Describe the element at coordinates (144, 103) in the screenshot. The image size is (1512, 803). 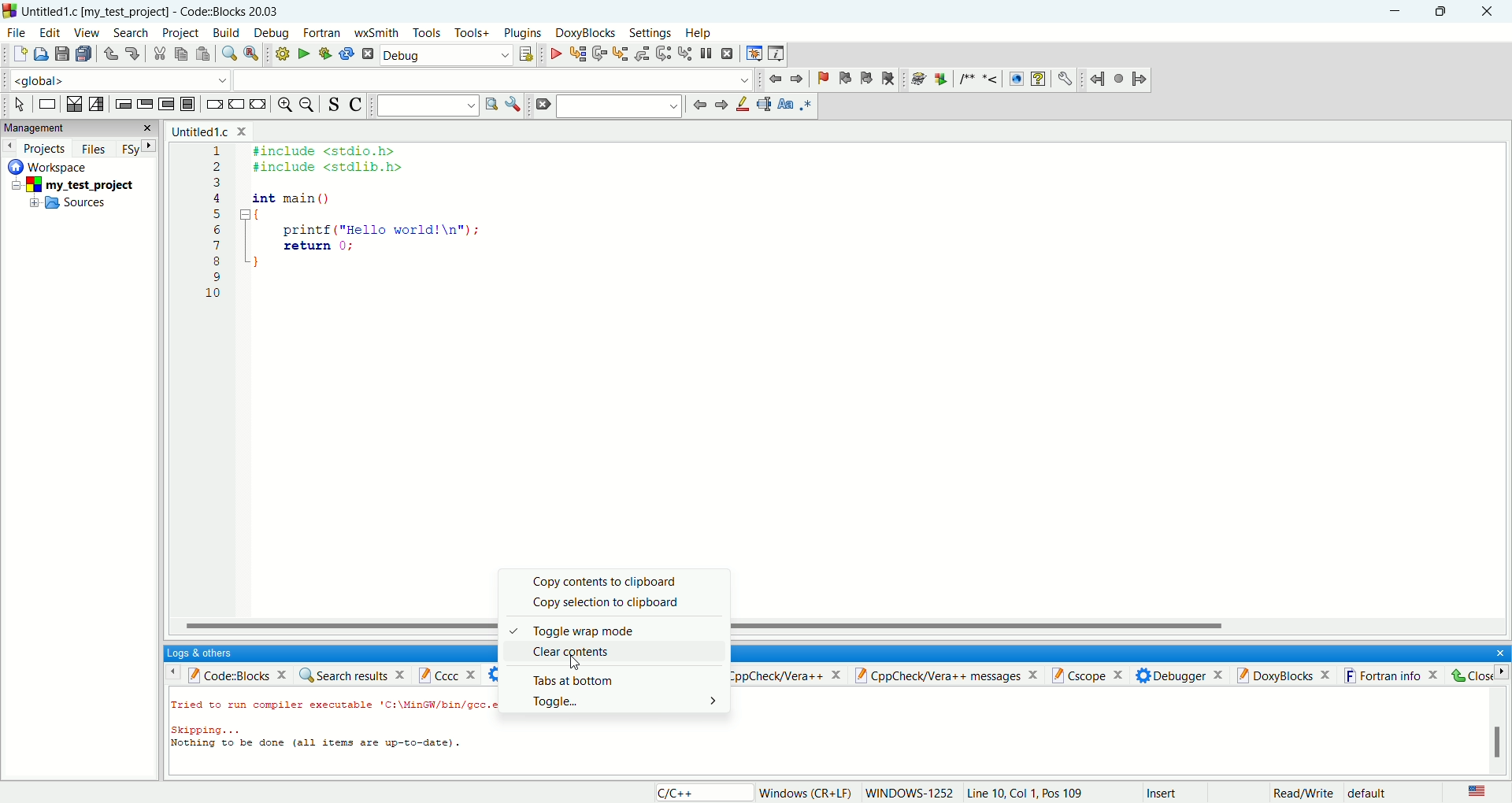
I see `exit condition loop` at that location.